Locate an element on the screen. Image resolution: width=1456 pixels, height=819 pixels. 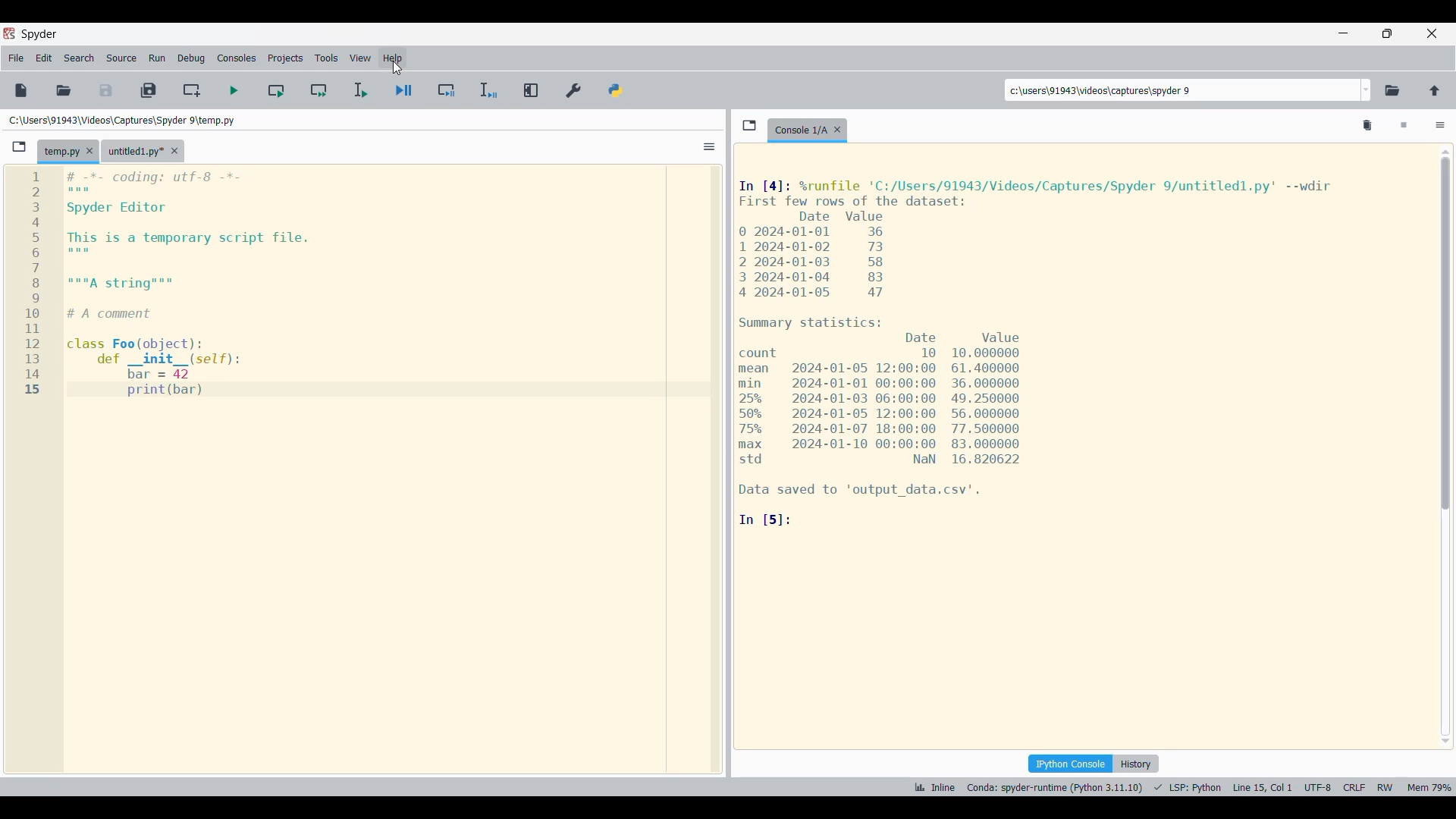
Vertical slide bar is located at coordinates (1446, 447).